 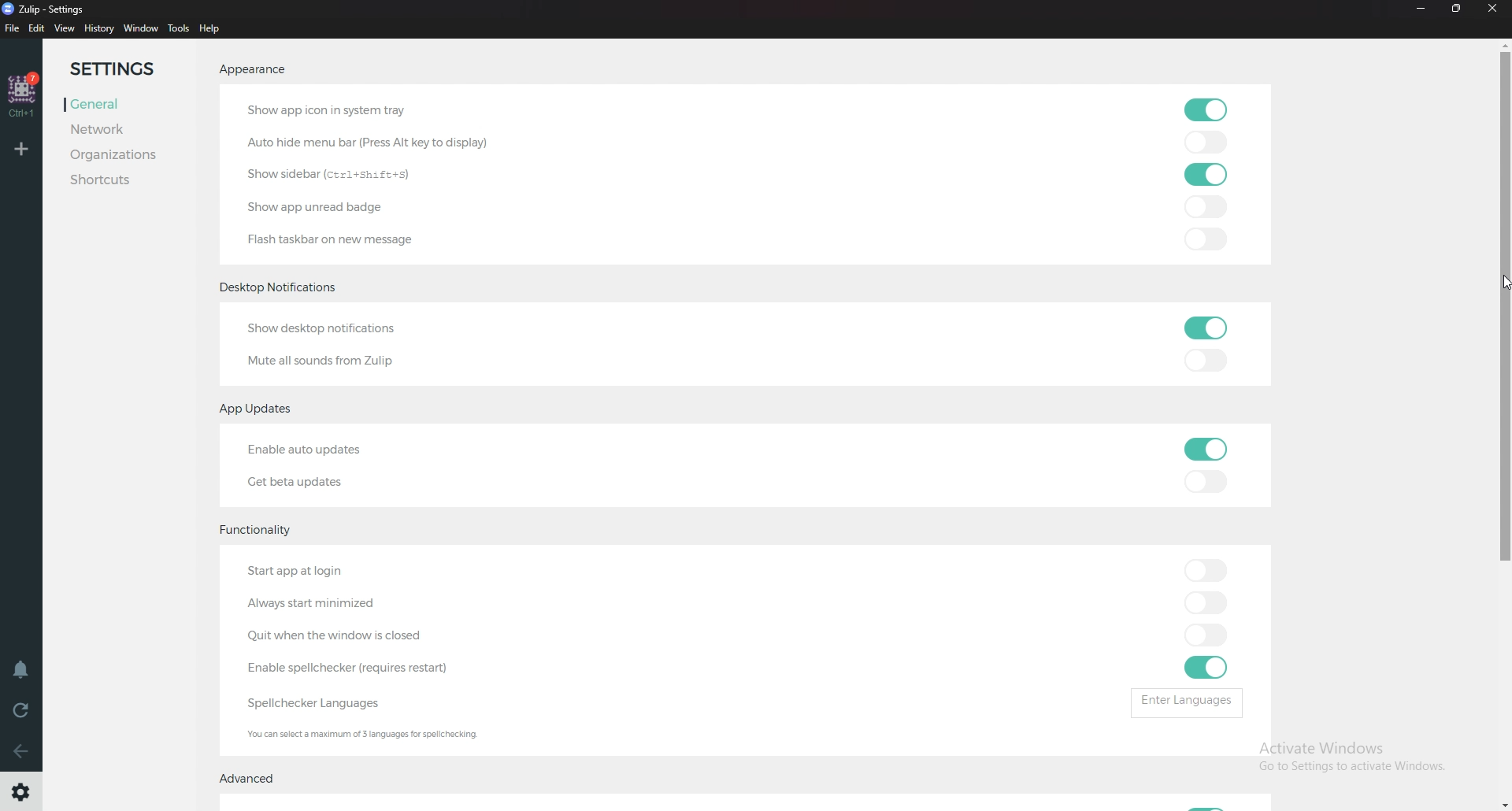 What do you see at coordinates (1422, 9) in the screenshot?
I see `Minimize` at bounding box center [1422, 9].